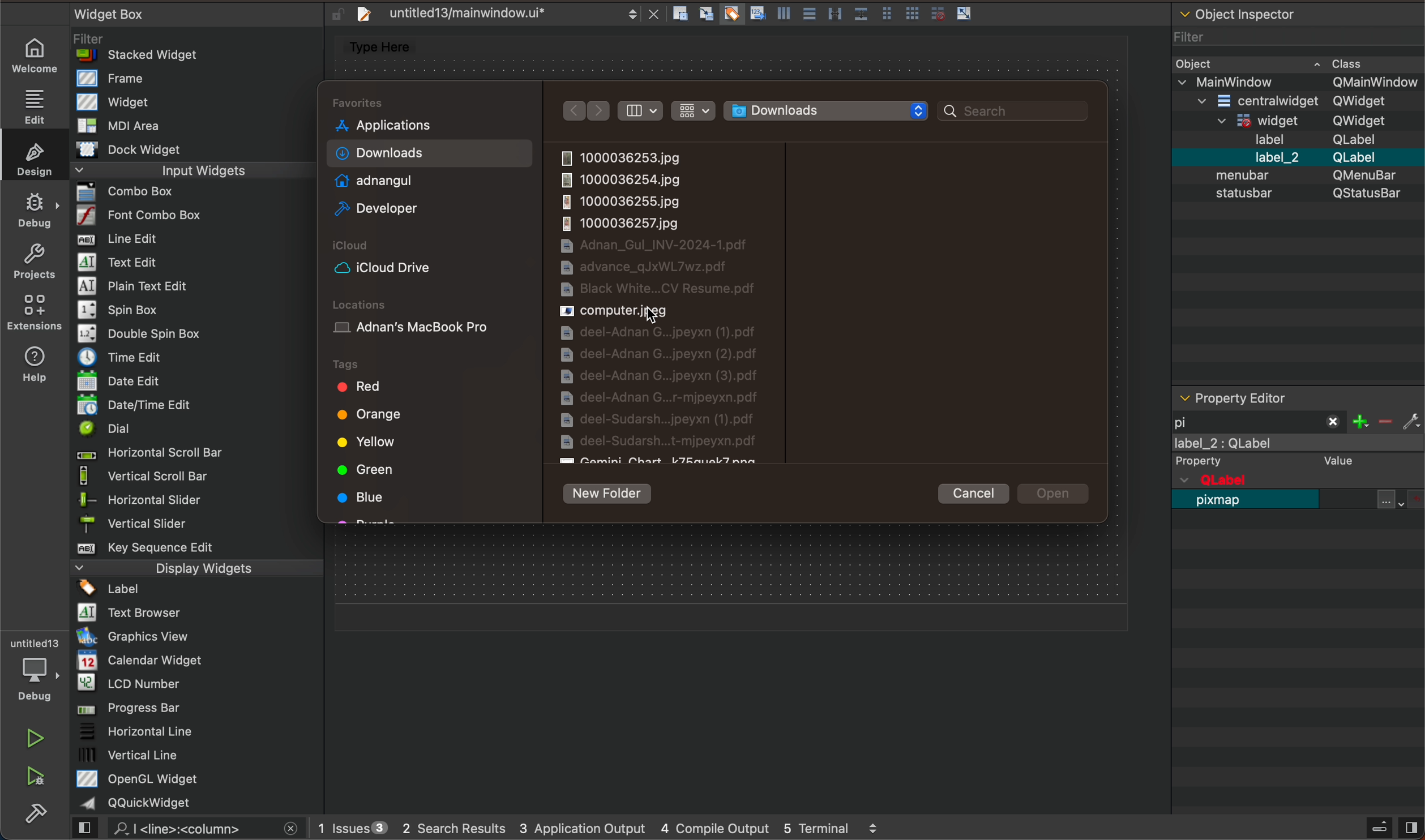 The image size is (1425, 840). What do you see at coordinates (202, 408) in the screenshot?
I see `widget box` at bounding box center [202, 408].